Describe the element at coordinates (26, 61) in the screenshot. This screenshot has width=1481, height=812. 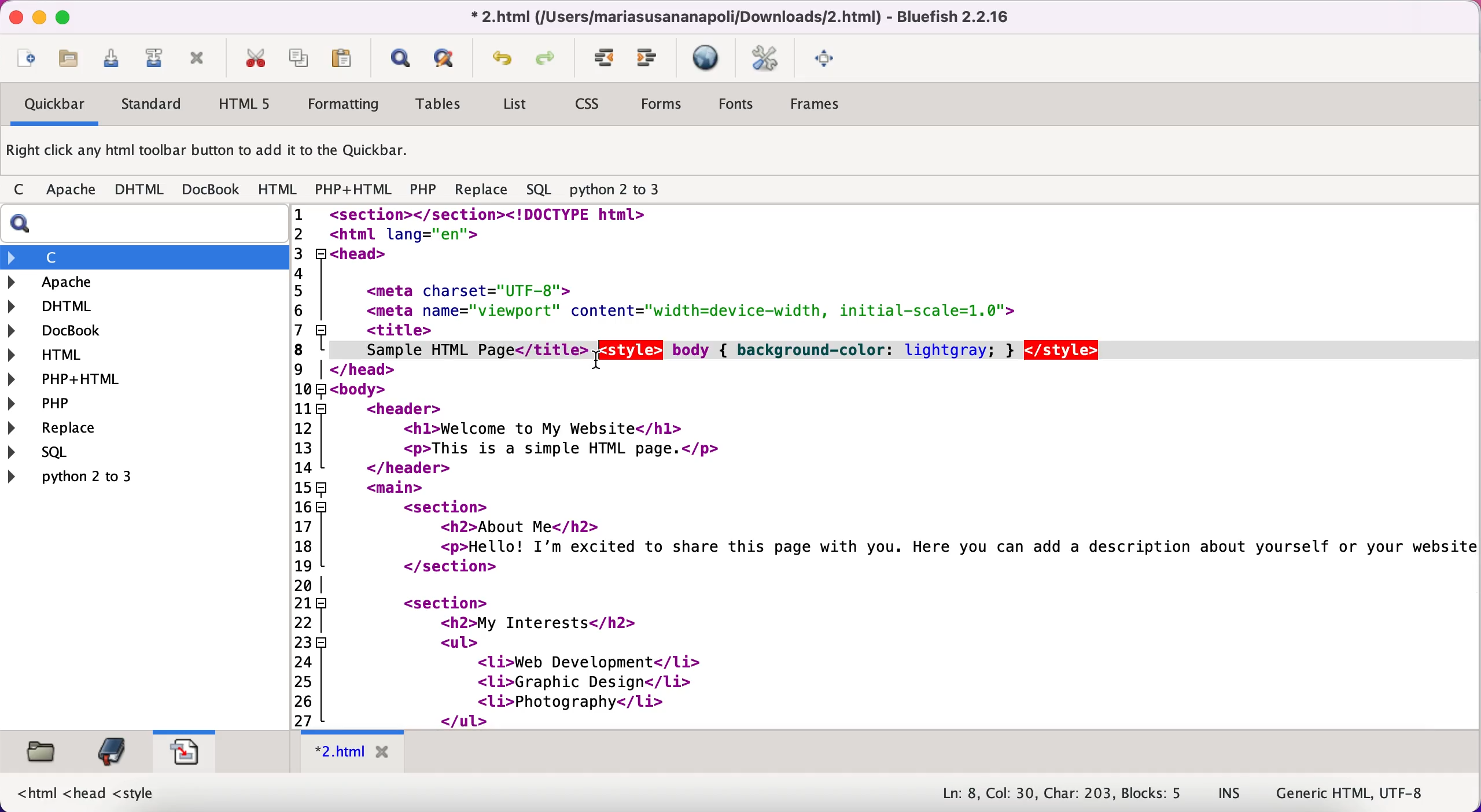
I see `new file` at that location.